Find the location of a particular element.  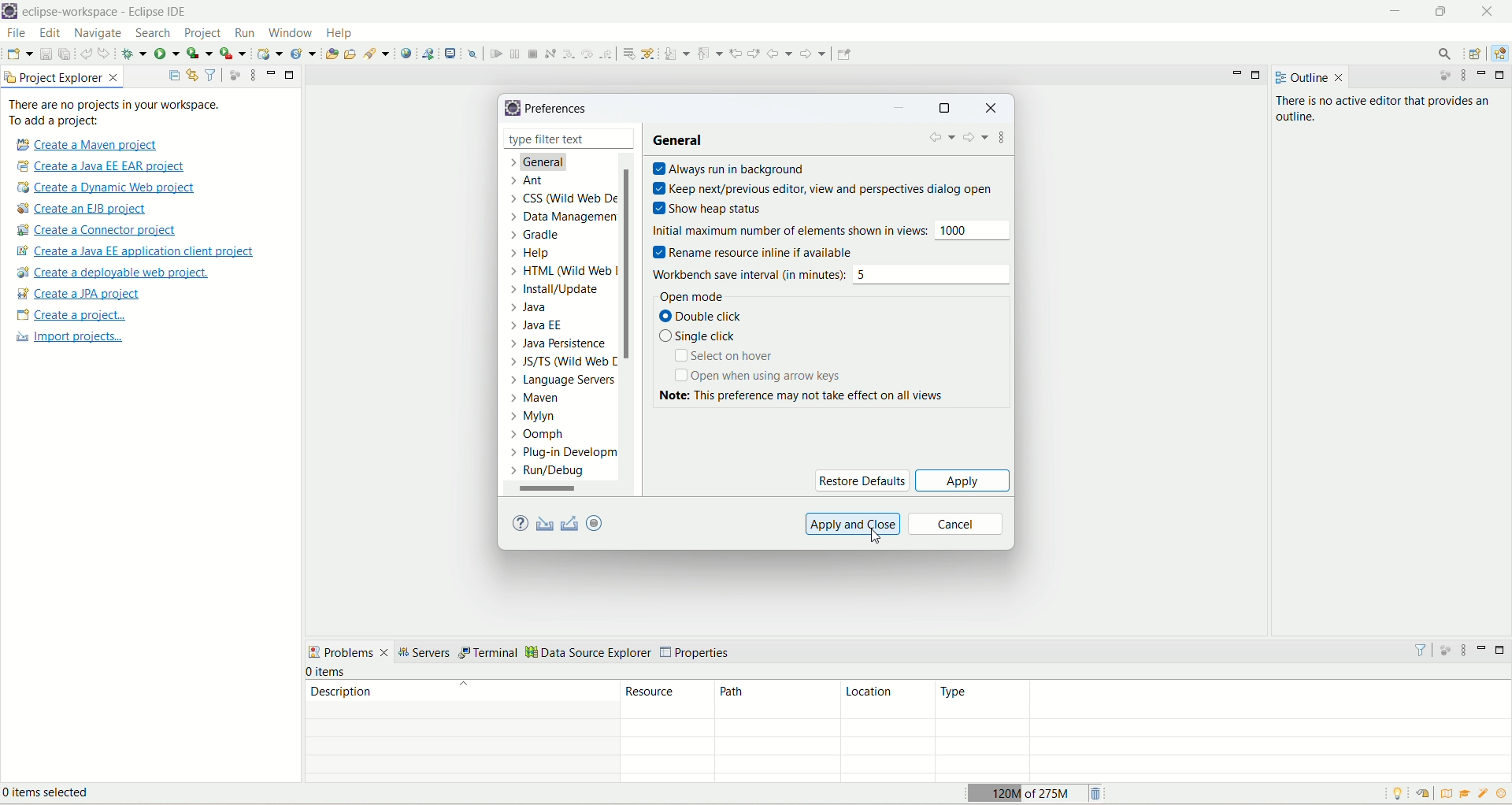

import projects is located at coordinates (67, 339).